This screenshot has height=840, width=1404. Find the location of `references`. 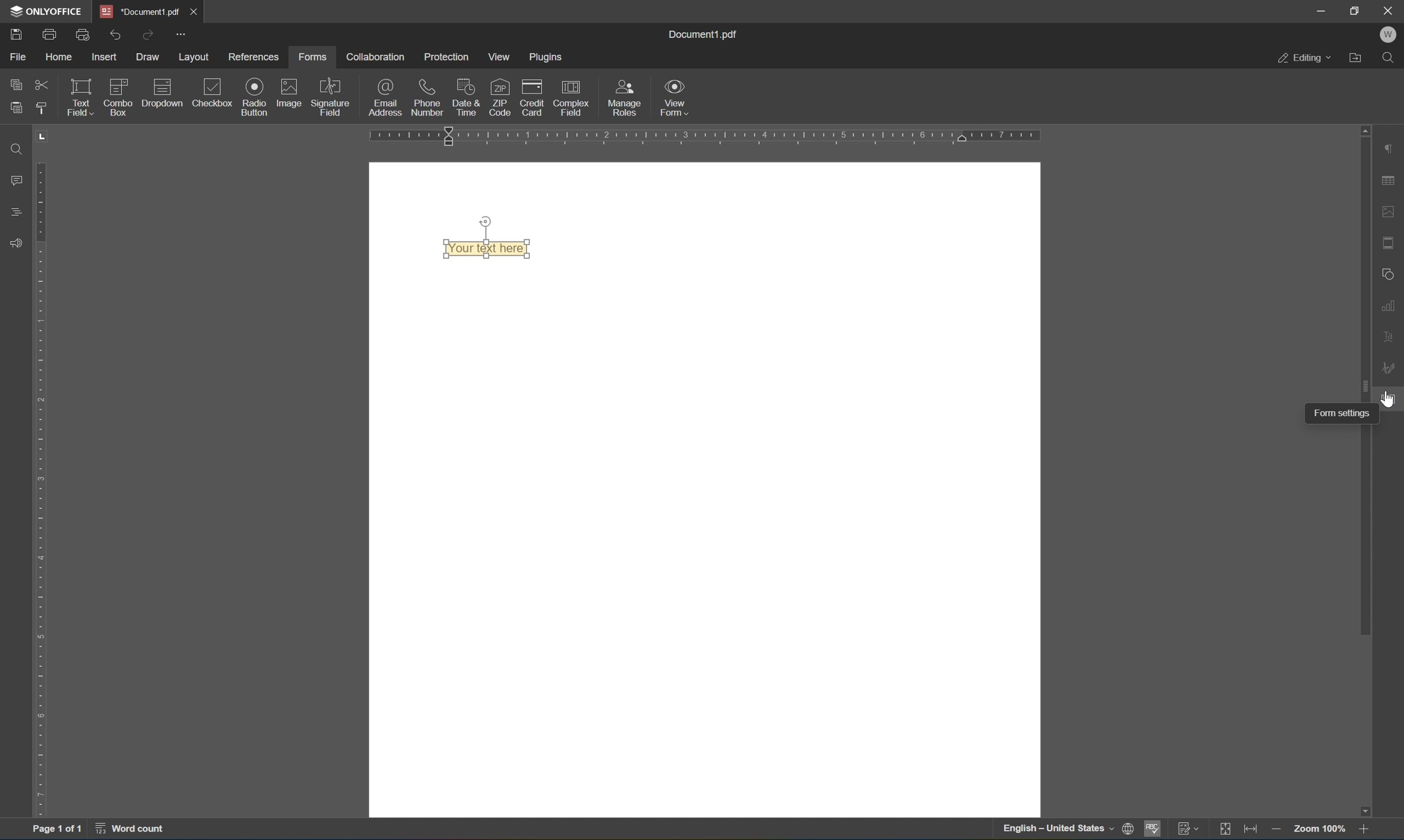

references is located at coordinates (256, 57).